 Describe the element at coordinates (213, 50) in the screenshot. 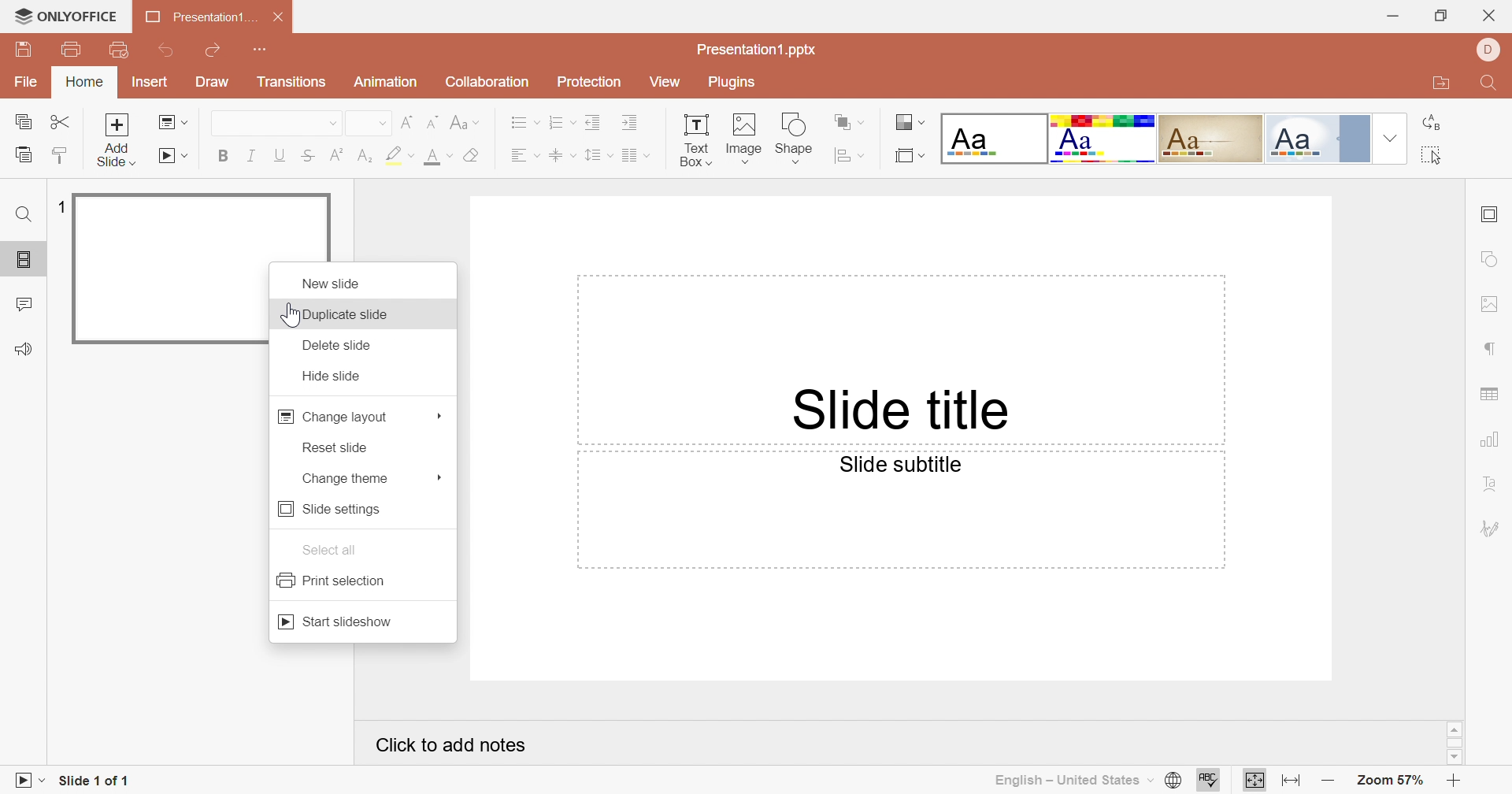

I see `Redo` at that location.